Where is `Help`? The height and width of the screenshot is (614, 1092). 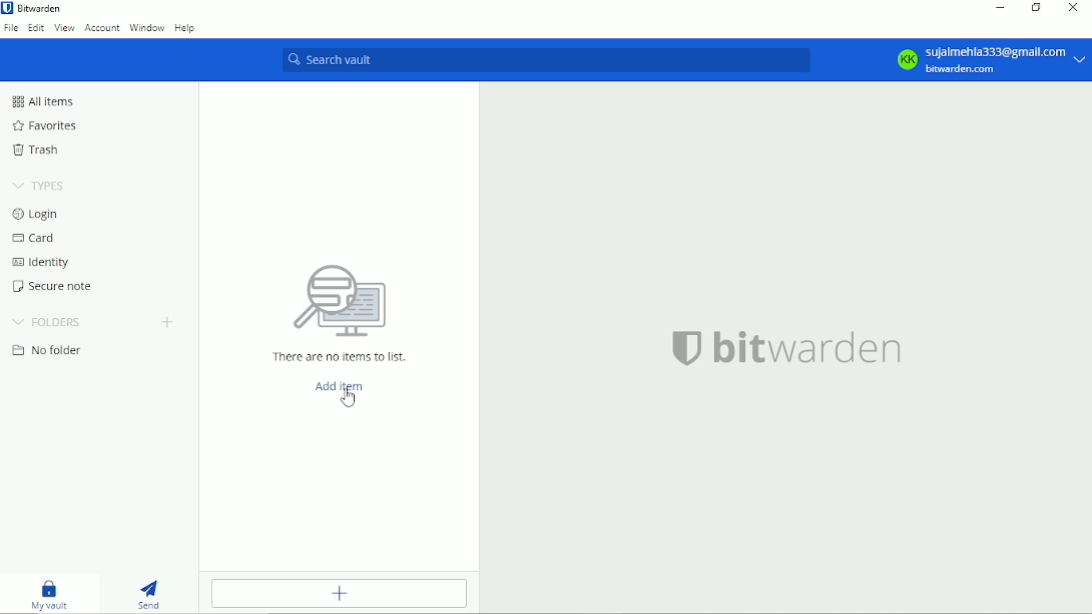
Help is located at coordinates (184, 27).